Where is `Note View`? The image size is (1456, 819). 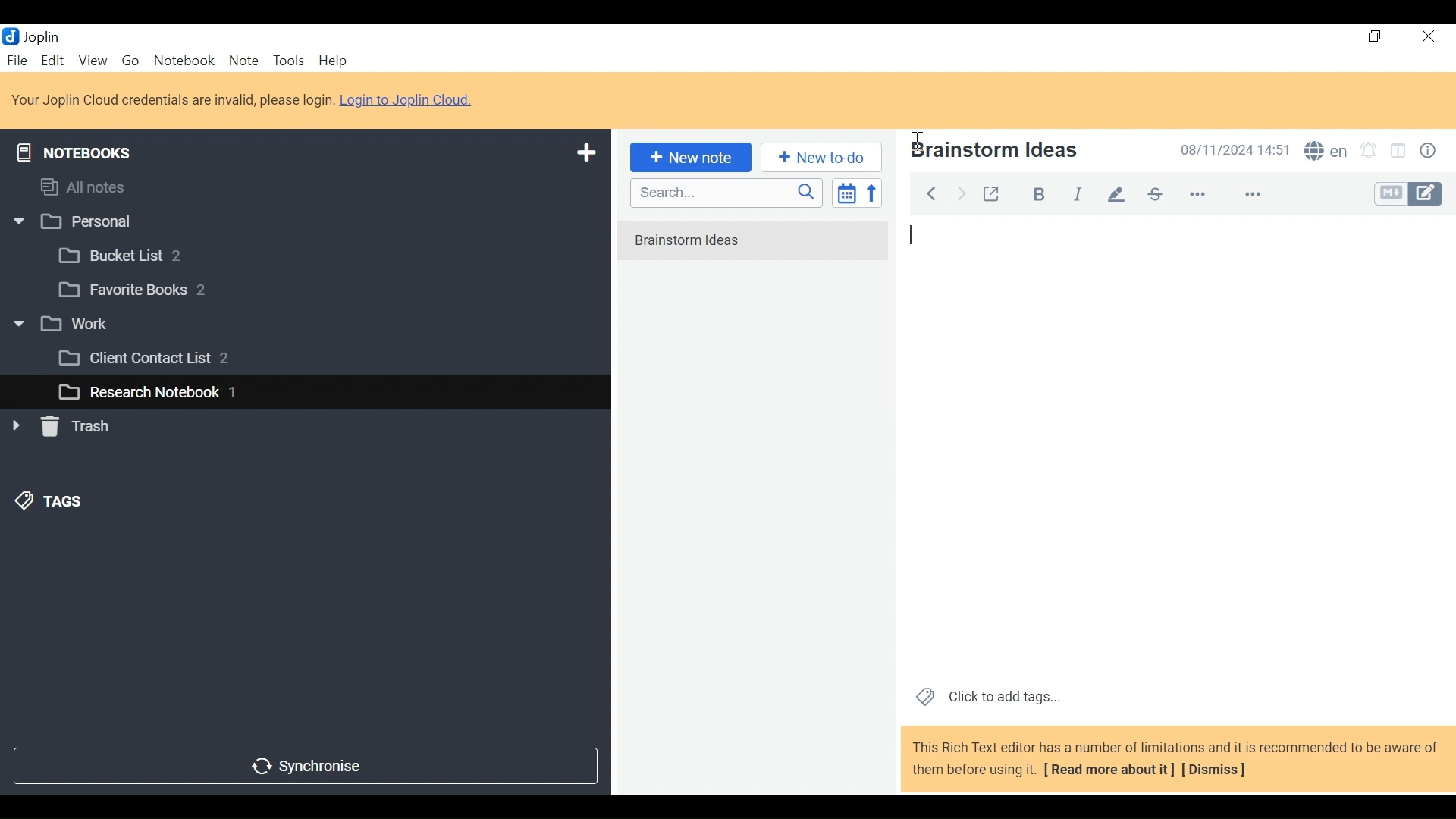 Note View is located at coordinates (1170, 449).